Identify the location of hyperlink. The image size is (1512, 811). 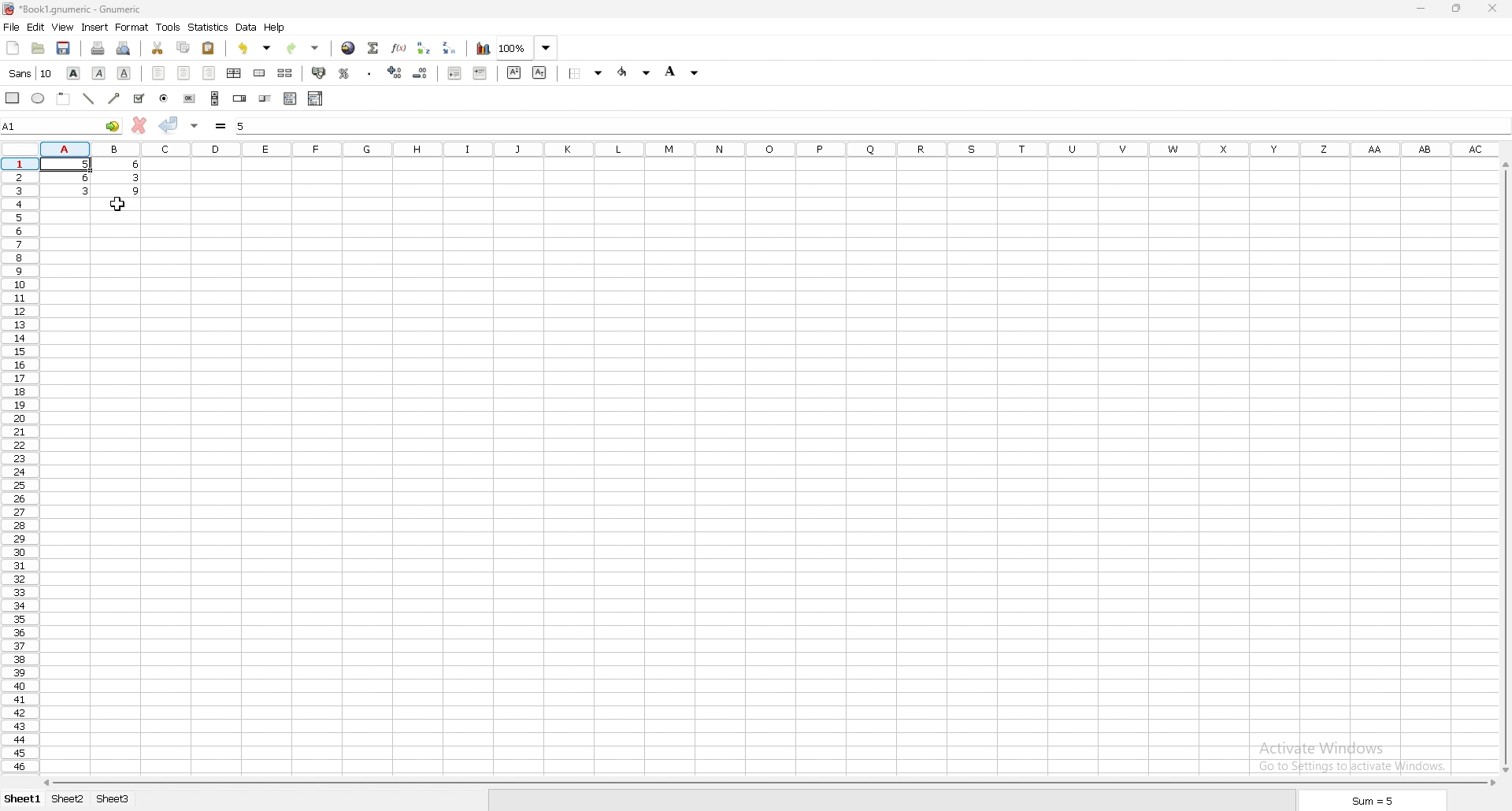
(349, 48).